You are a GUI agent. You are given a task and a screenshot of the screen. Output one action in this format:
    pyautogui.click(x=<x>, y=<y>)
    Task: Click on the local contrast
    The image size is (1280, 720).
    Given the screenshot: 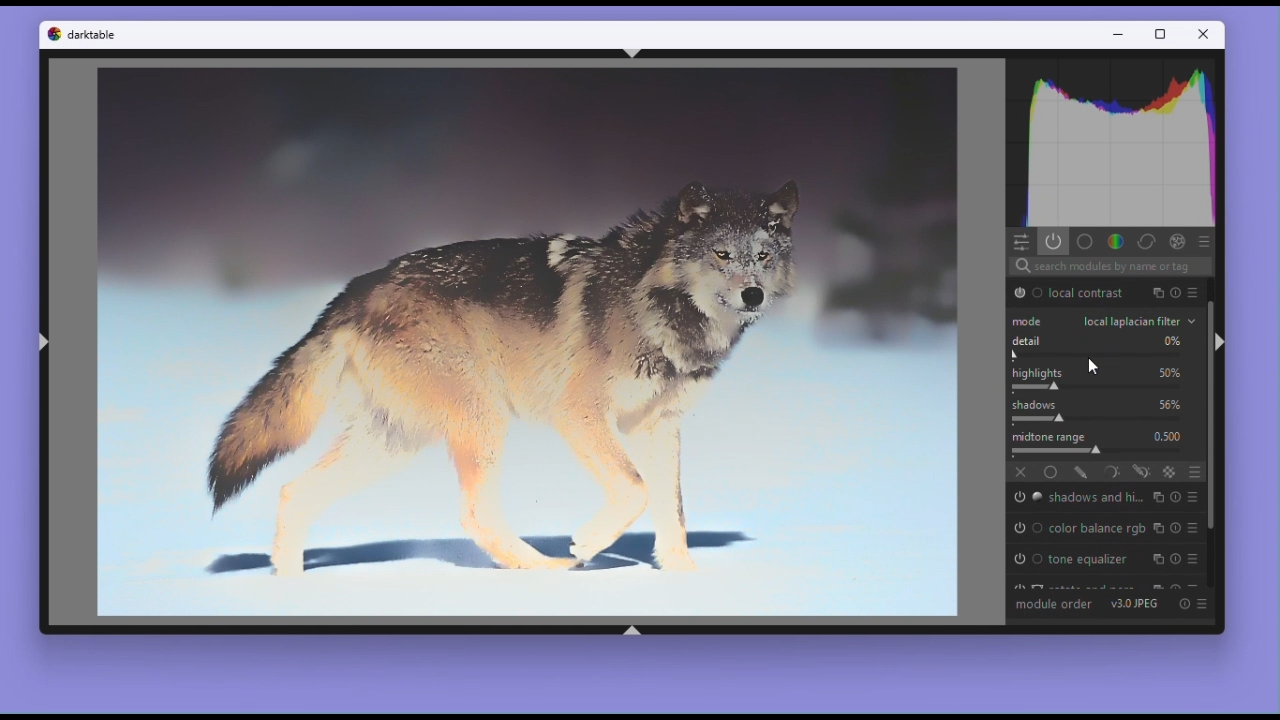 What is the action you would take?
    pyautogui.click(x=1086, y=293)
    